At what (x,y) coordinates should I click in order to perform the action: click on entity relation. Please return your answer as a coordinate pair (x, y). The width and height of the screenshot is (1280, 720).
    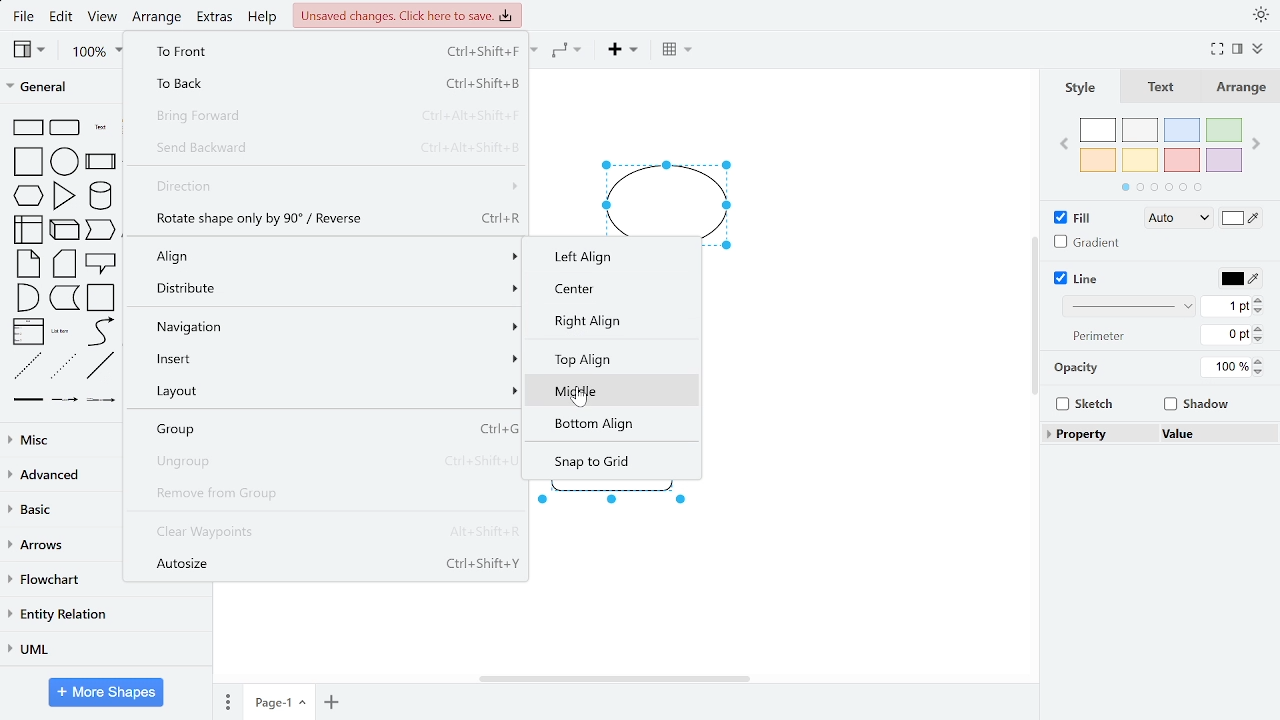
    Looking at the image, I should click on (102, 614).